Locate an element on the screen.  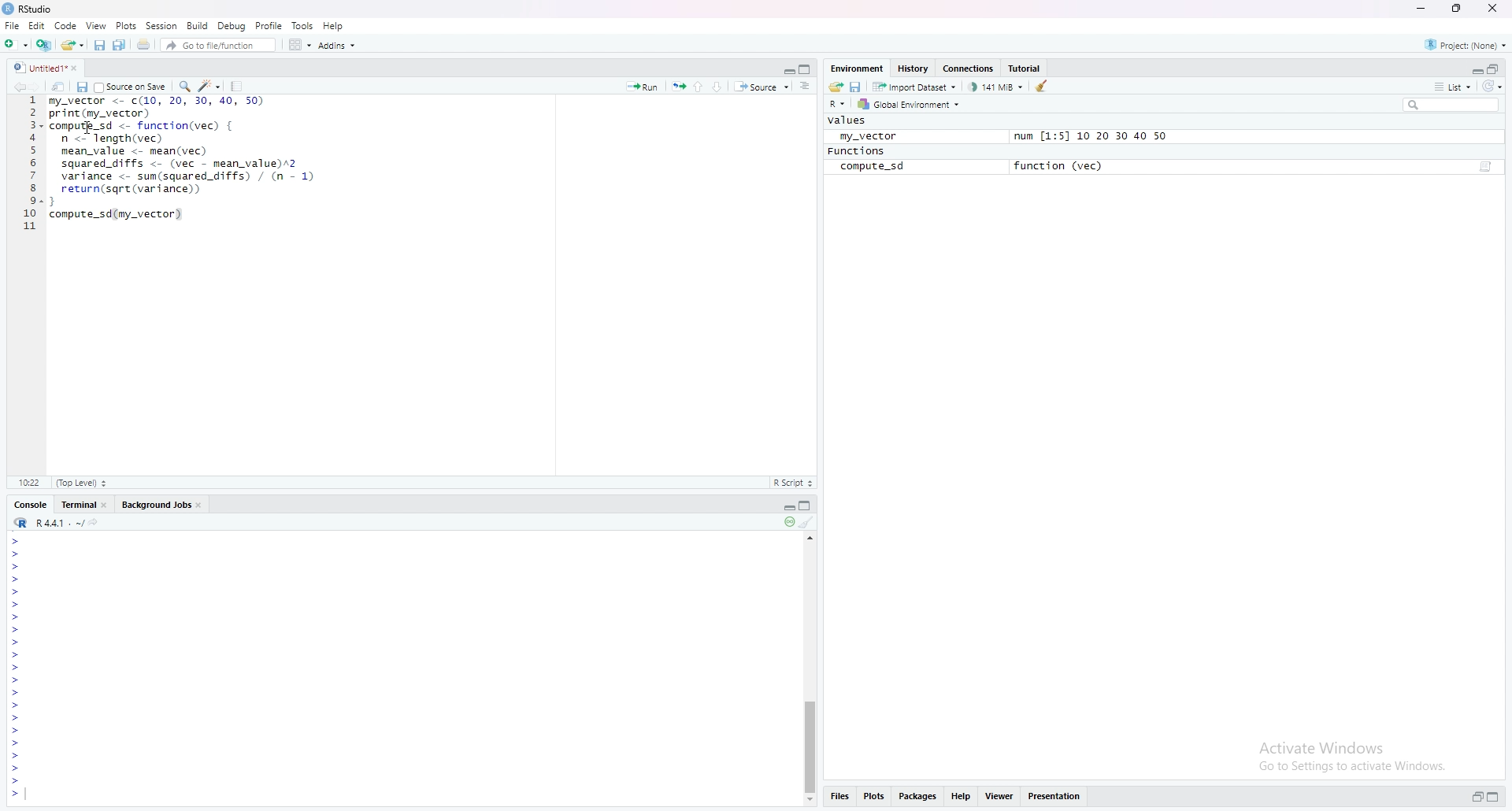
Restore is located at coordinates (1477, 797).